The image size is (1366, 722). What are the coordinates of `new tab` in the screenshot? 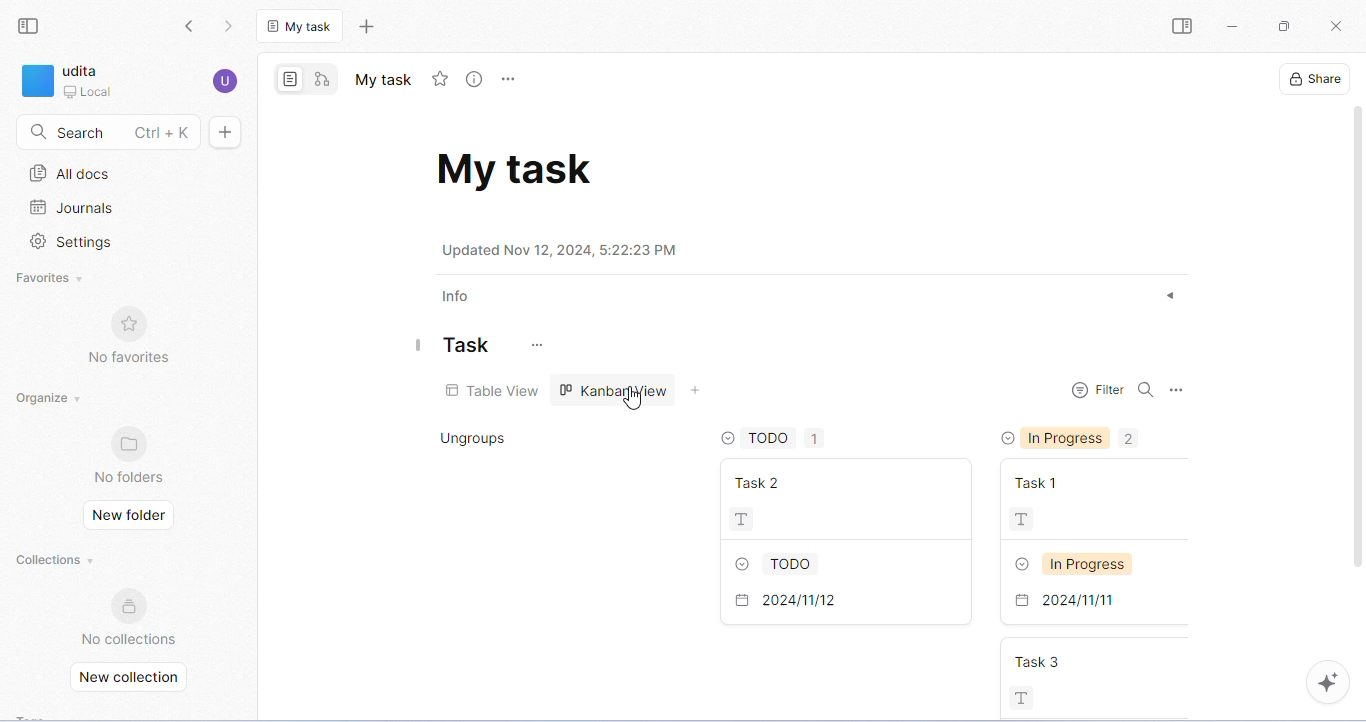 It's located at (371, 28).